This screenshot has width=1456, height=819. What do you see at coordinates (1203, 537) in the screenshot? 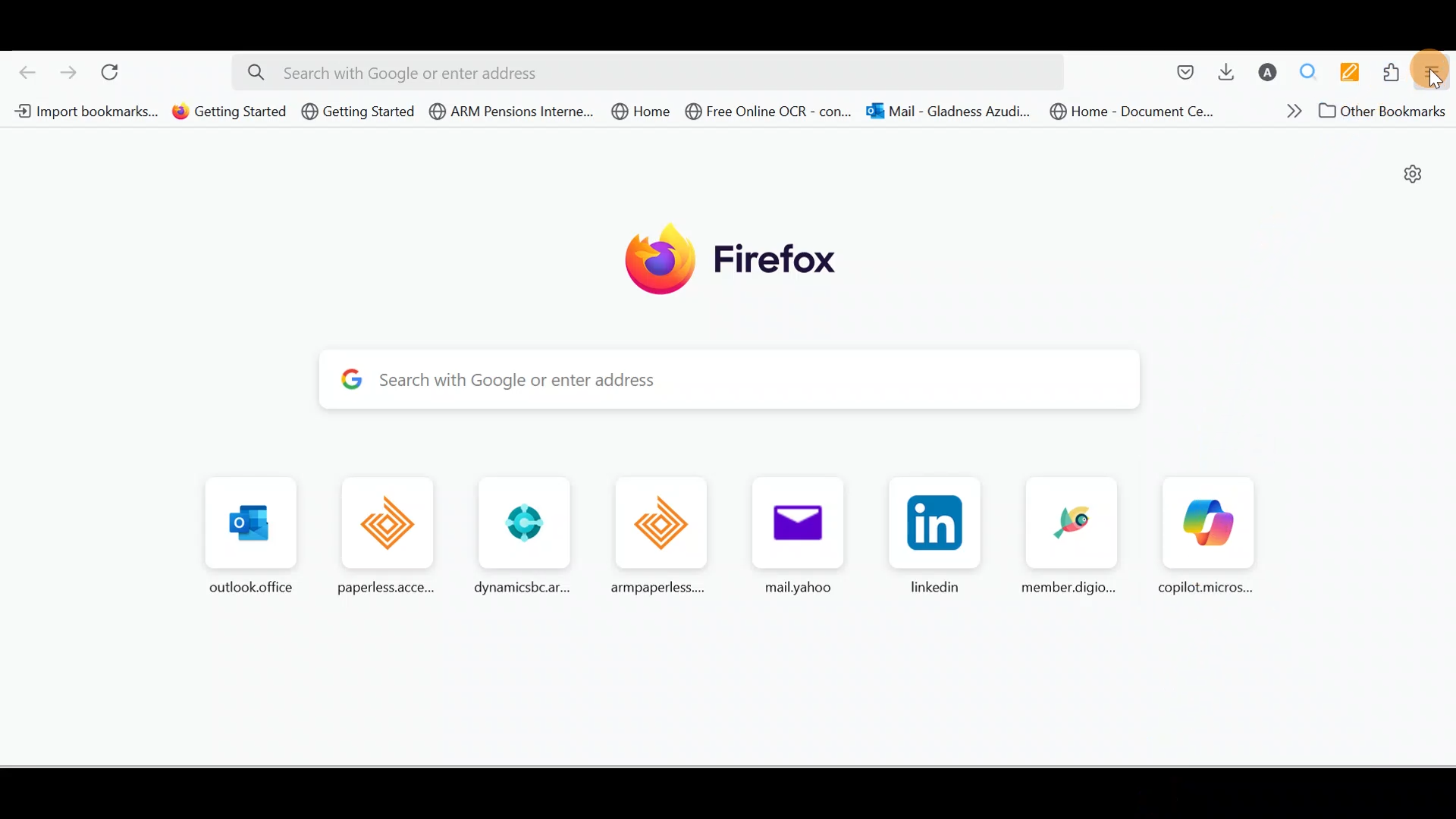
I see `copilot.micros...` at bounding box center [1203, 537].